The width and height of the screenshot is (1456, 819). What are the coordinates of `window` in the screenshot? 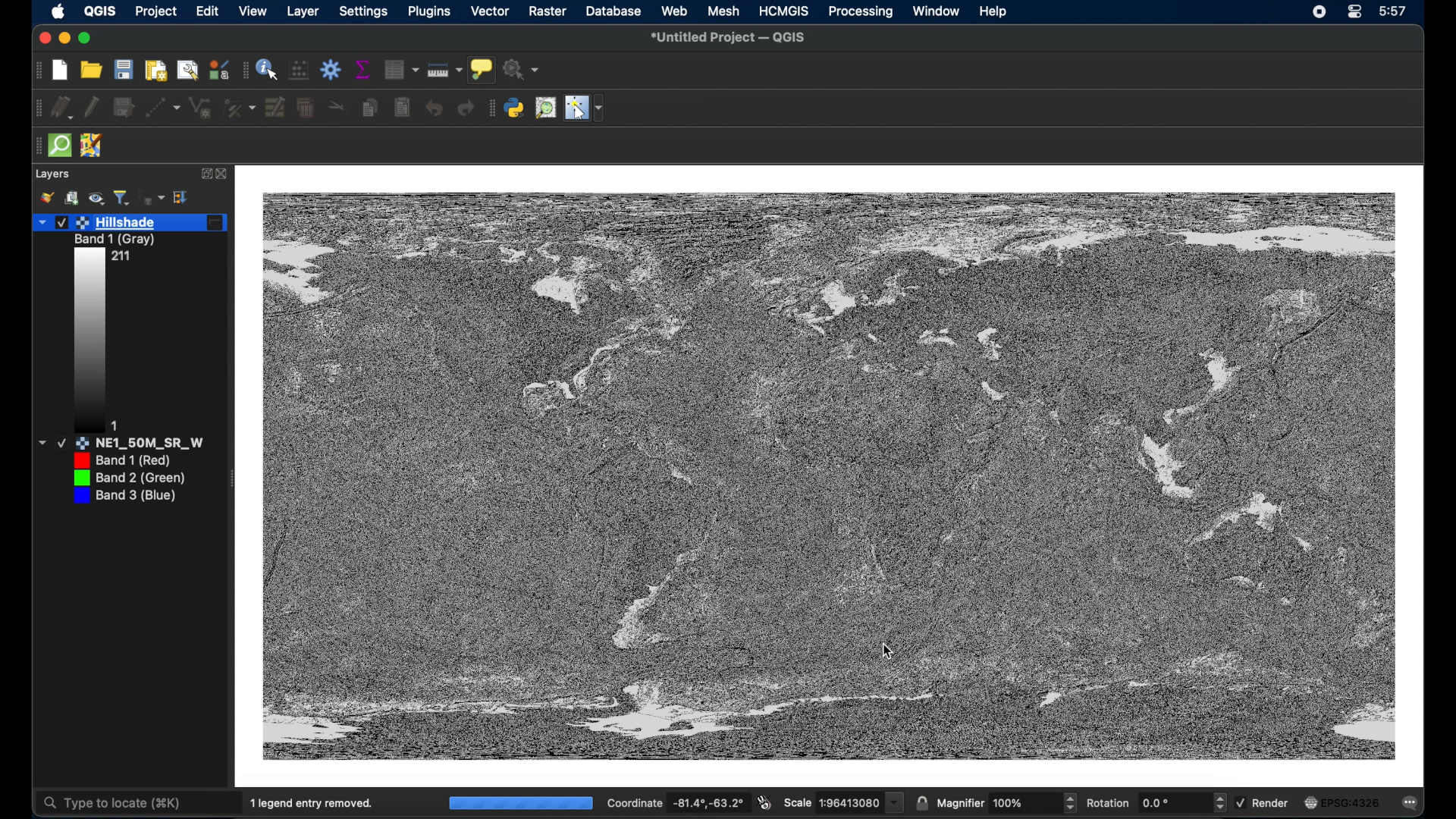 It's located at (937, 12).